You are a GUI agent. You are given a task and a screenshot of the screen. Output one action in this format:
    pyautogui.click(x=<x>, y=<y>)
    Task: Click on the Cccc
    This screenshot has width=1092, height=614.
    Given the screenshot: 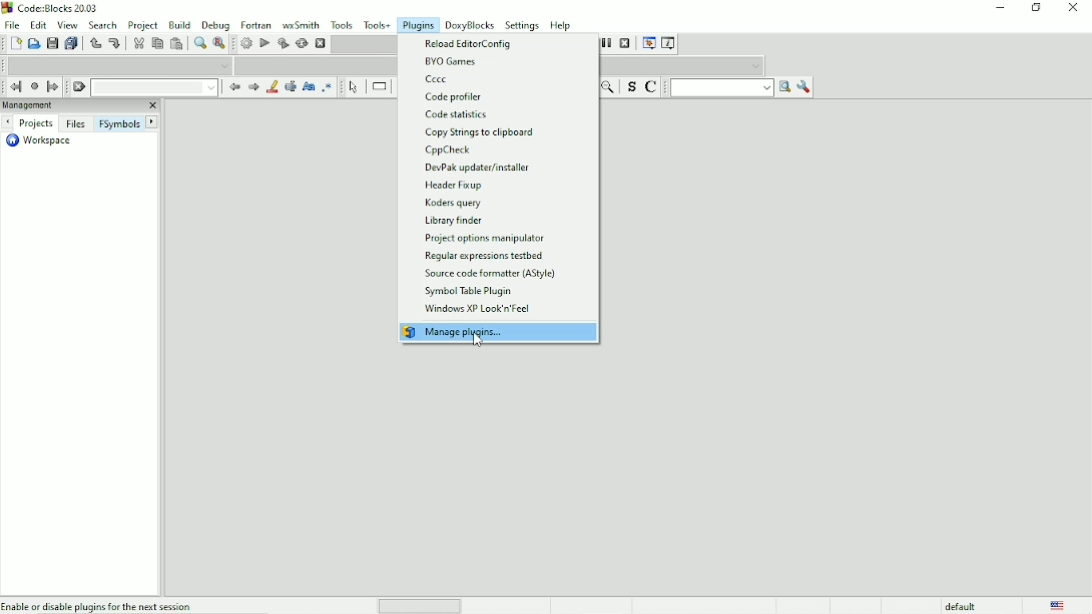 What is the action you would take?
    pyautogui.click(x=438, y=80)
    